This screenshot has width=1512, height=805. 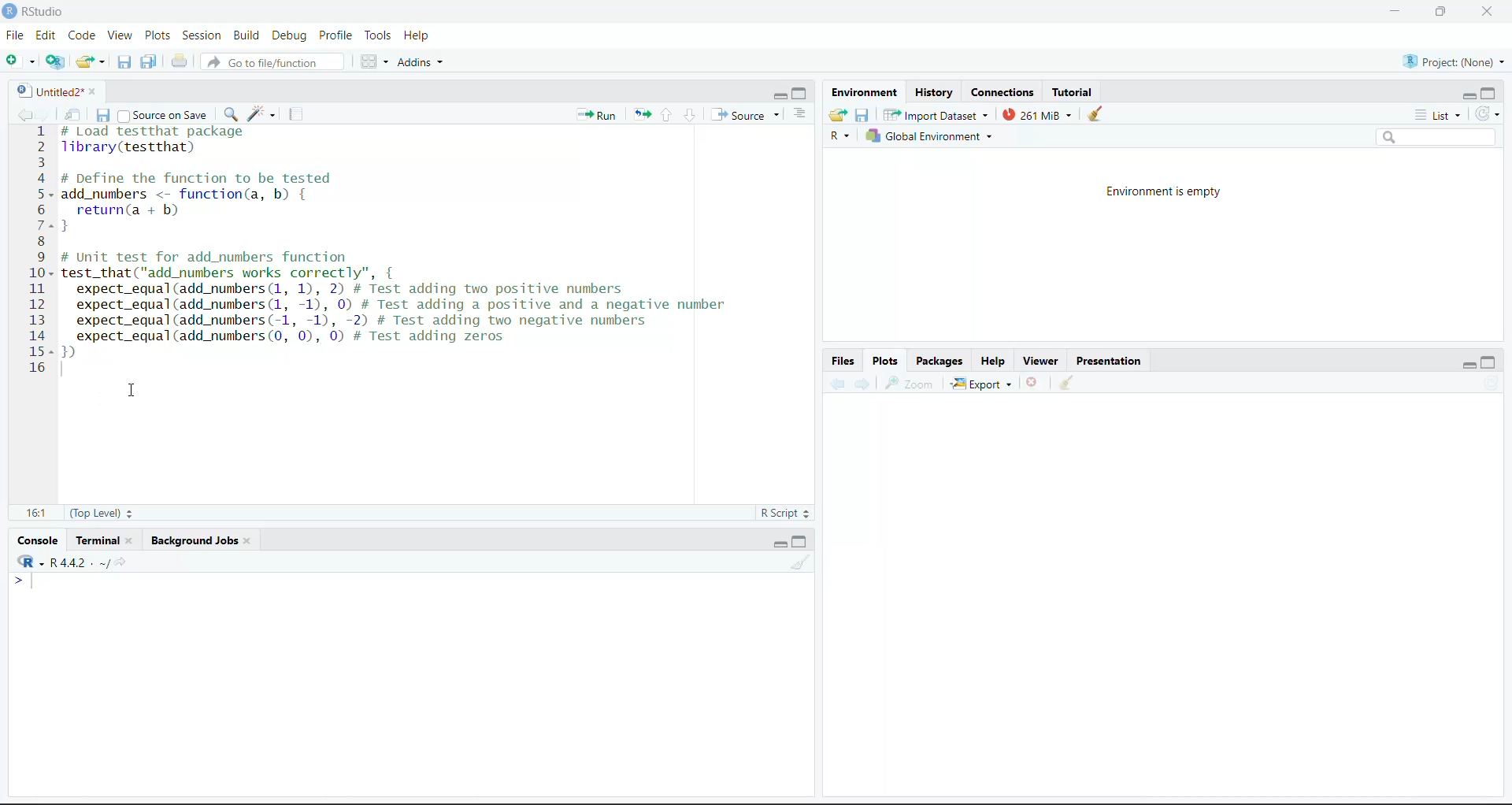 I want to click on create a project, so click(x=54, y=61).